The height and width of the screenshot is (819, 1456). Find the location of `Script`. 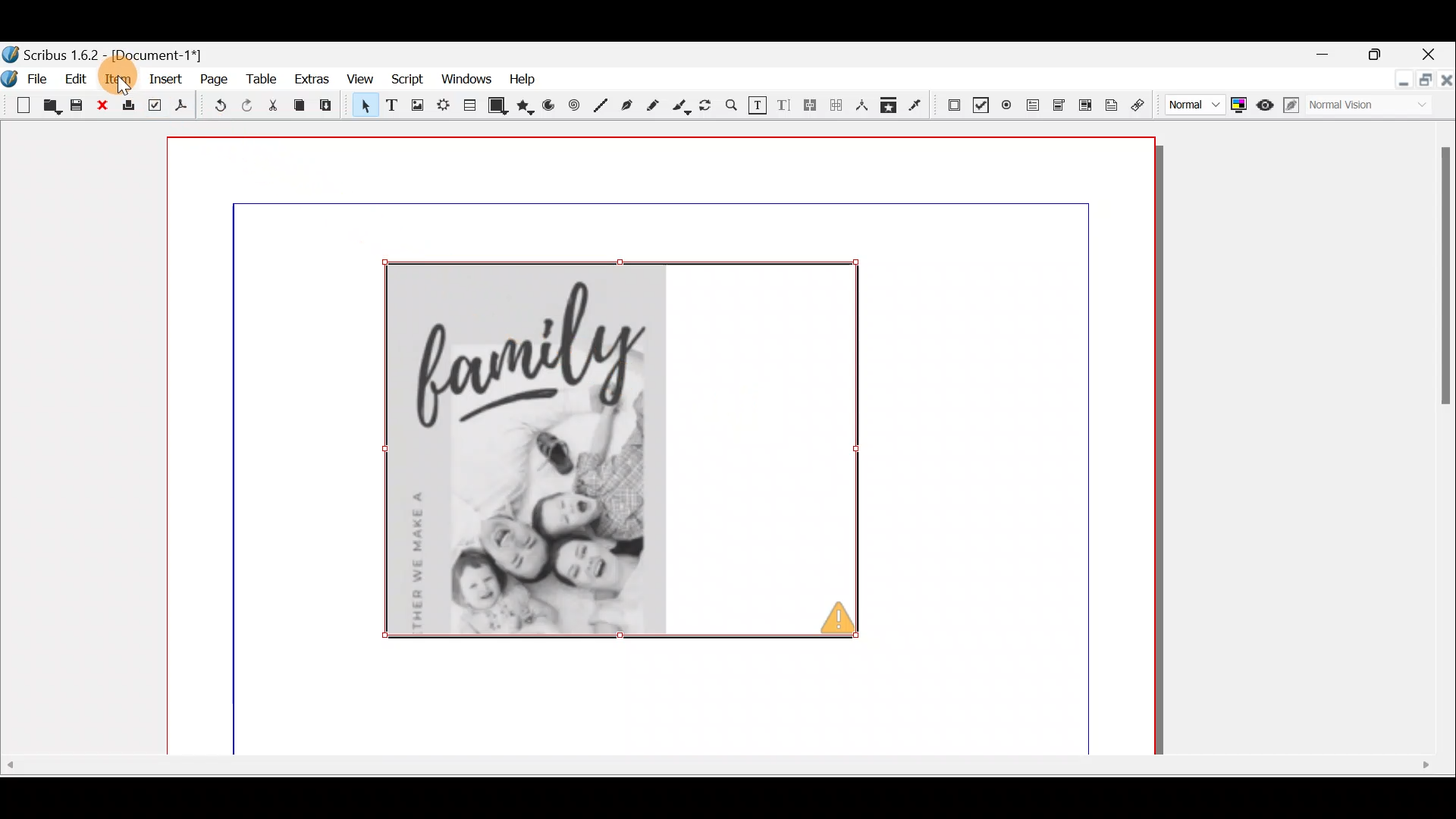

Script is located at coordinates (406, 79).